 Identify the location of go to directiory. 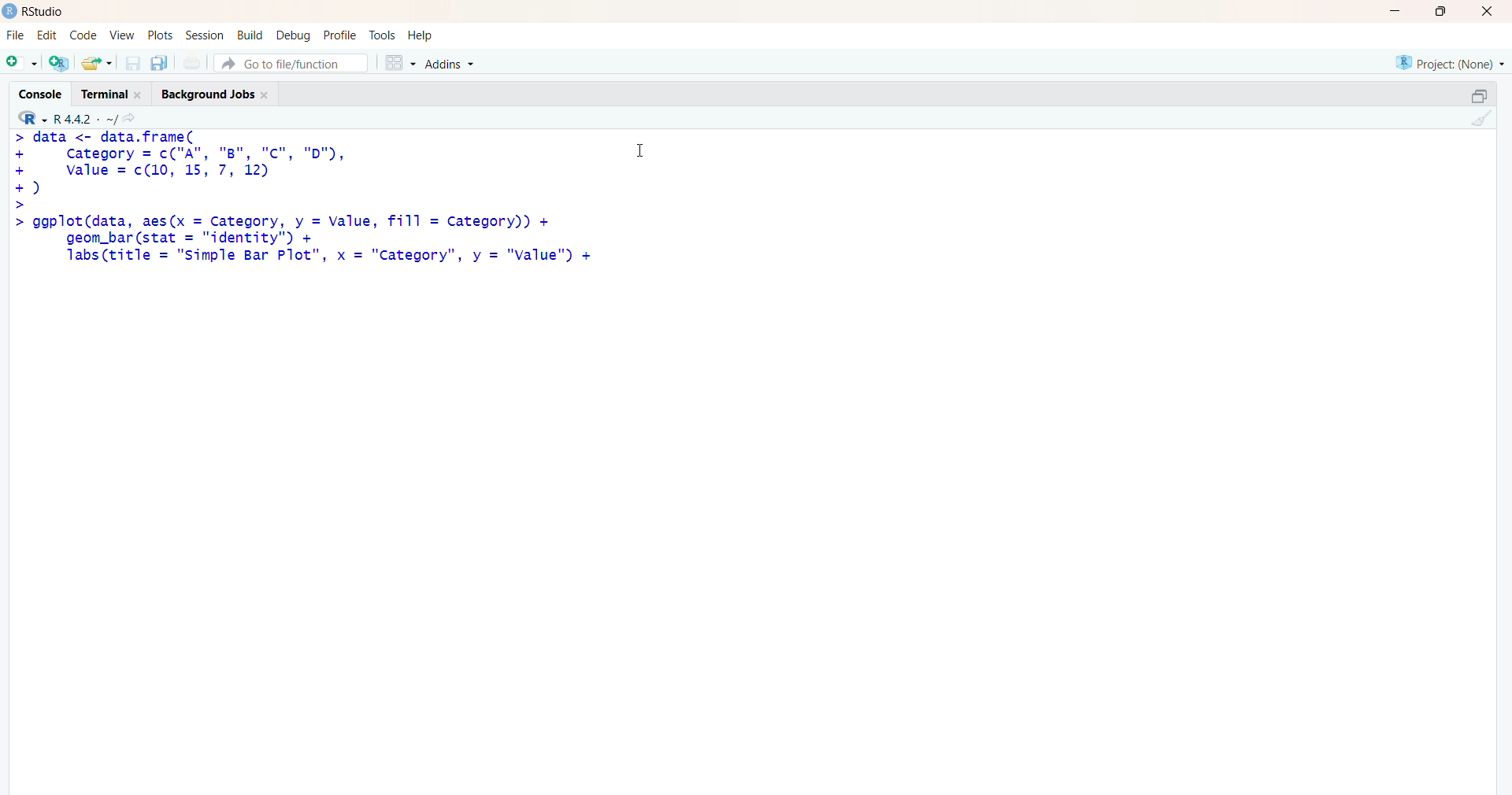
(133, 118).